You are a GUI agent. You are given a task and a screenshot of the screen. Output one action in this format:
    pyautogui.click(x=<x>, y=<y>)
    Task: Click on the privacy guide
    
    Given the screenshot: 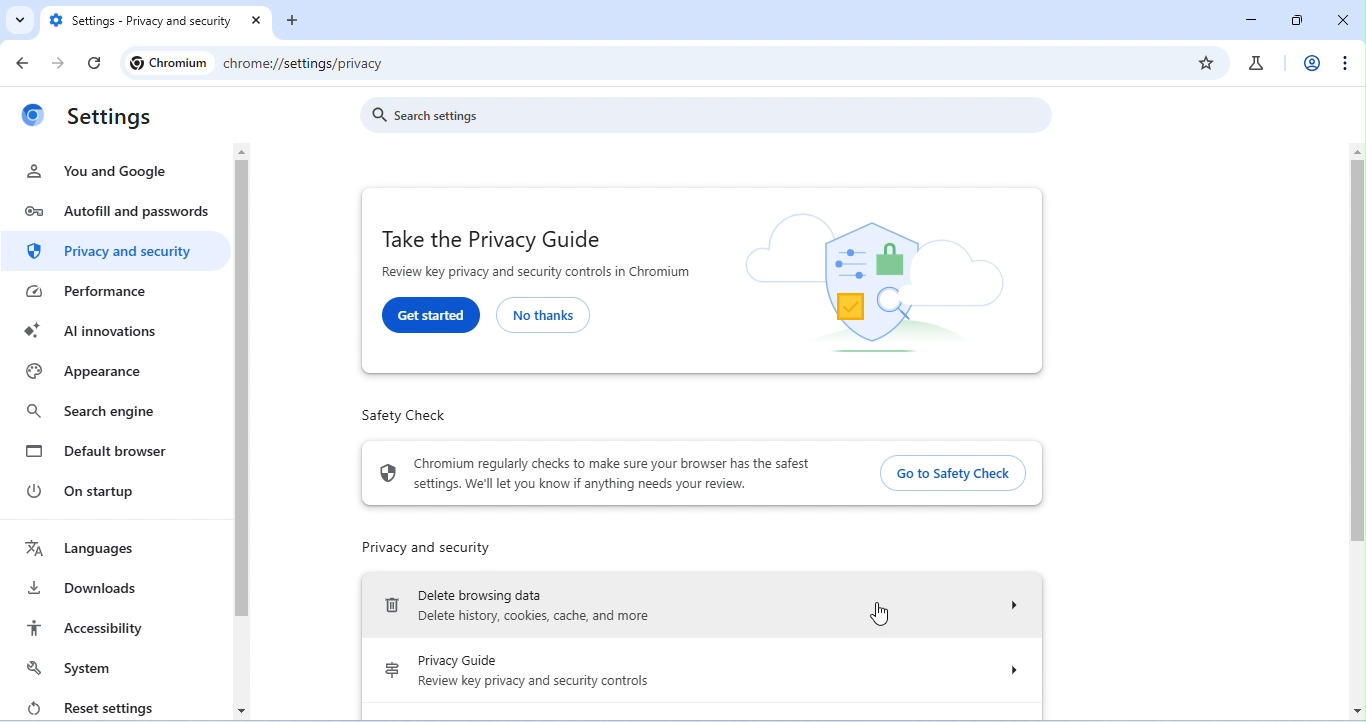 What is the action you would take?
    pyautogui.click(x=458, y=660)
    